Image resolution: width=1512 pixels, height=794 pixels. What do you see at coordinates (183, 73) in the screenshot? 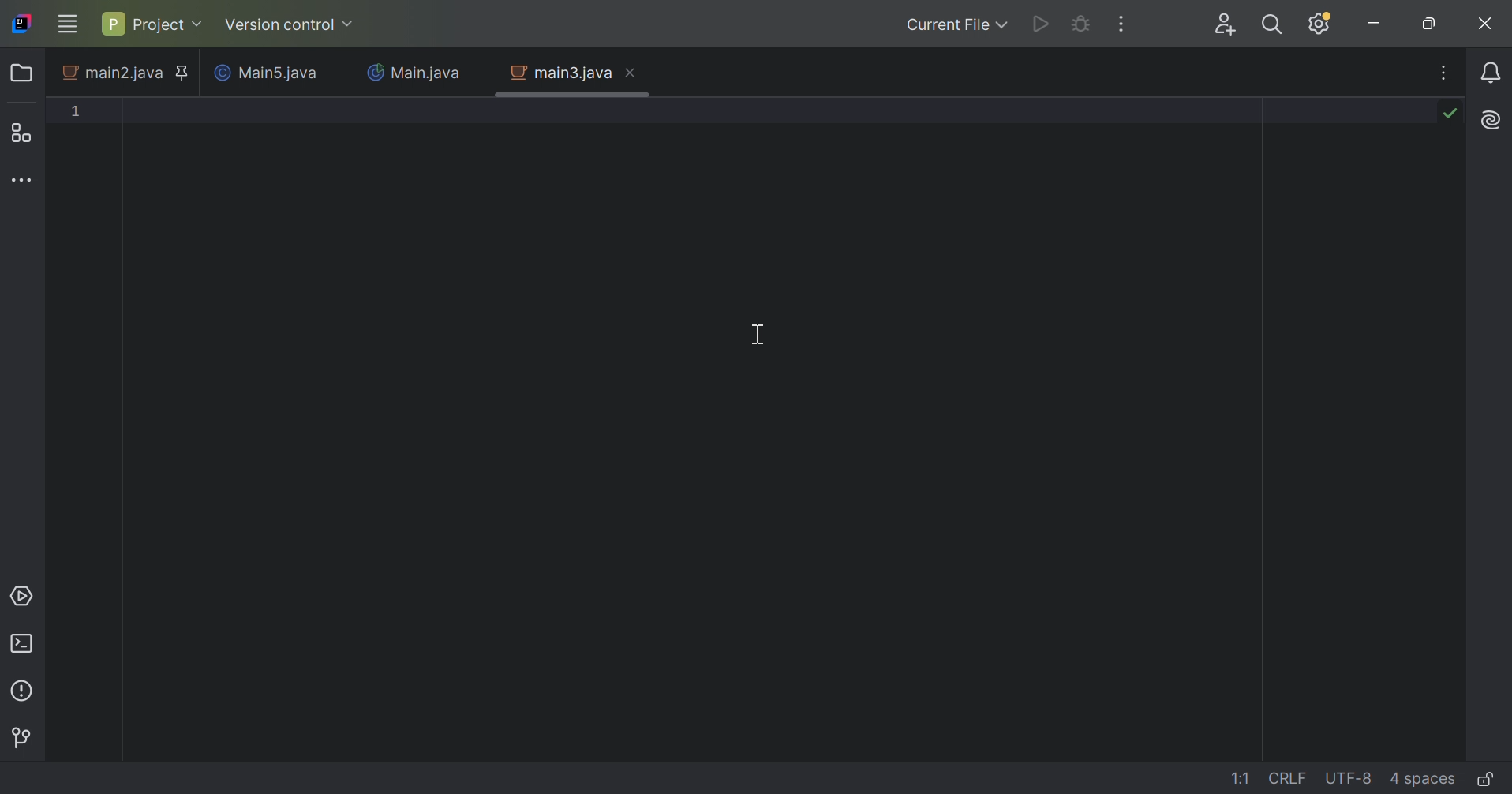
I see `Pinned tab` at bounding box center [183, 73].